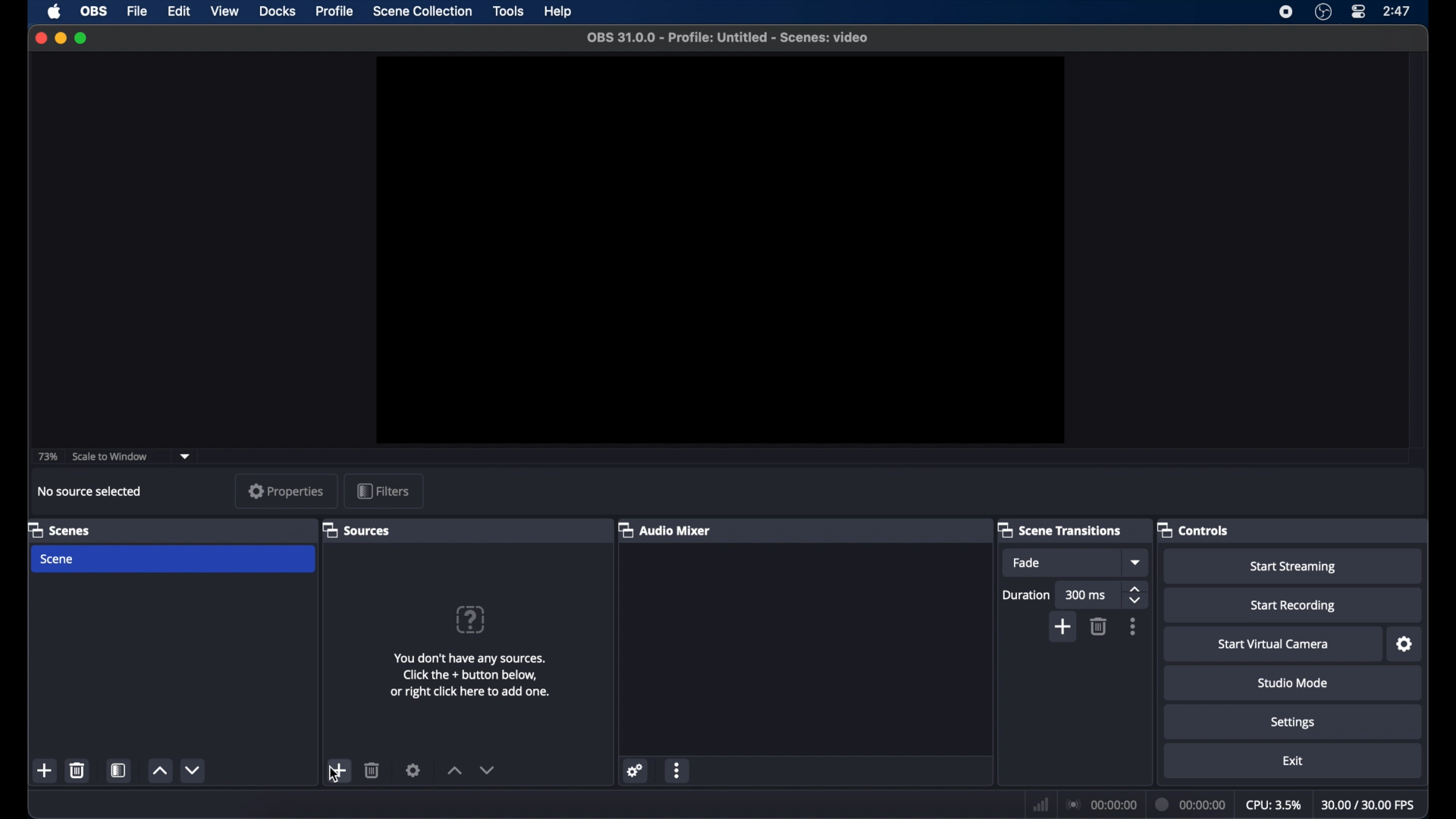 The height and width of the screenshot is (819, 1456). Describe the element at coordinates (179, 11) in the screenshot. I see `edit` at that location.